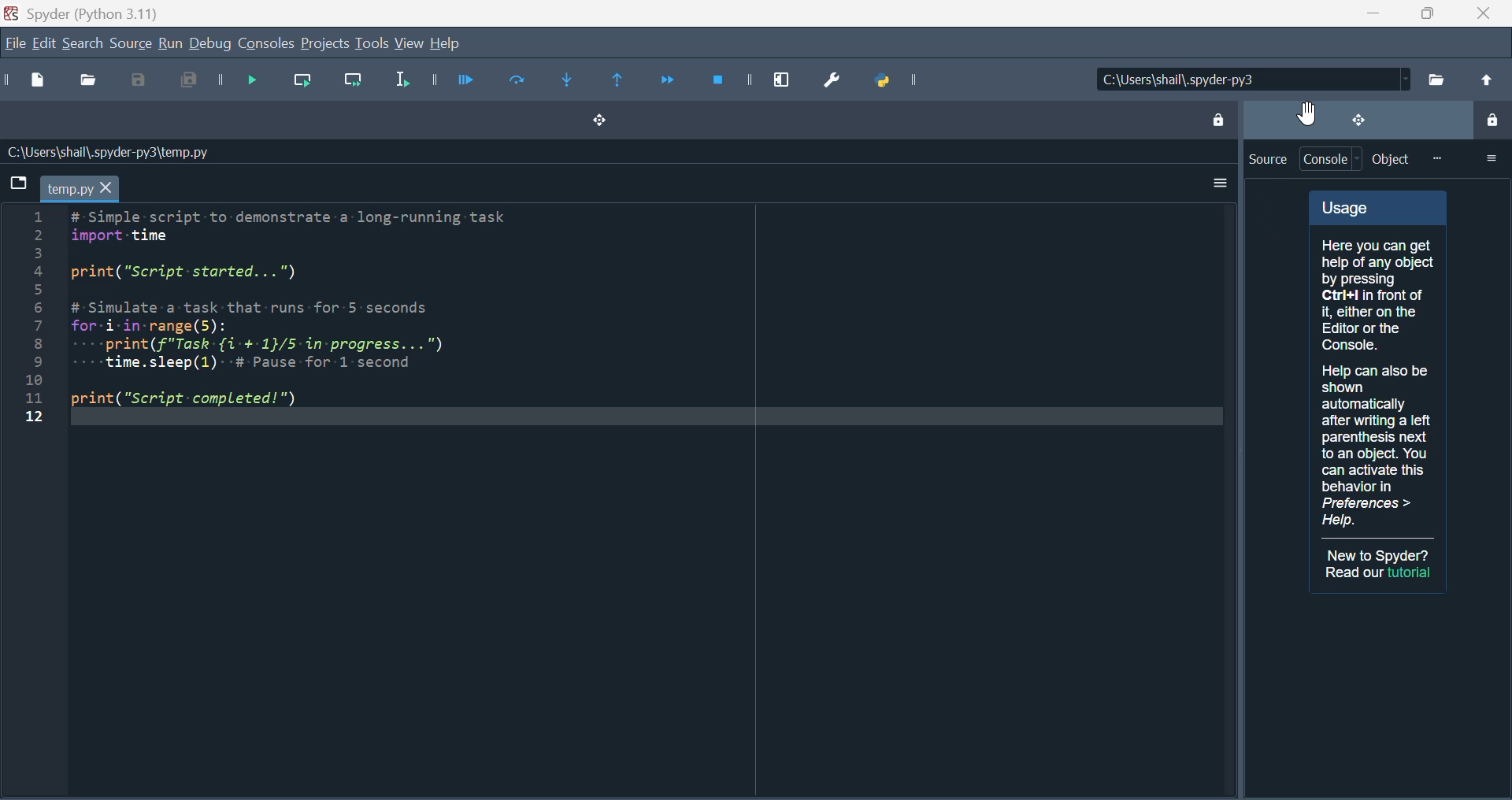 The width and height of the screenshot is (1512, 800). I want to click on lock, so click(1217, 117).